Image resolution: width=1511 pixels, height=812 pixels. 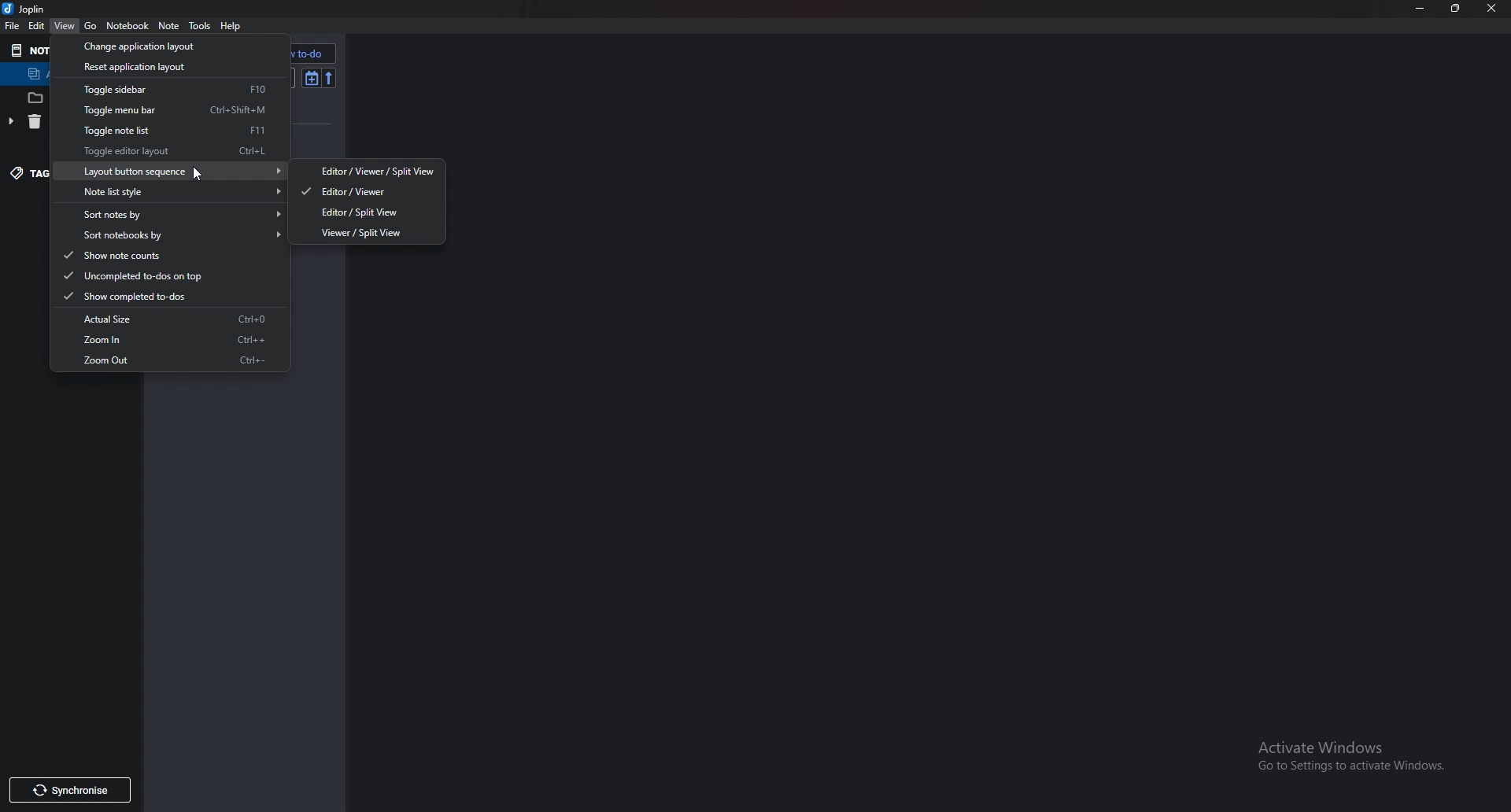 What do you see at coordinates (170, 171) in the screenshot?
I see `Layout button sequence` at bounding box center [170, 171].